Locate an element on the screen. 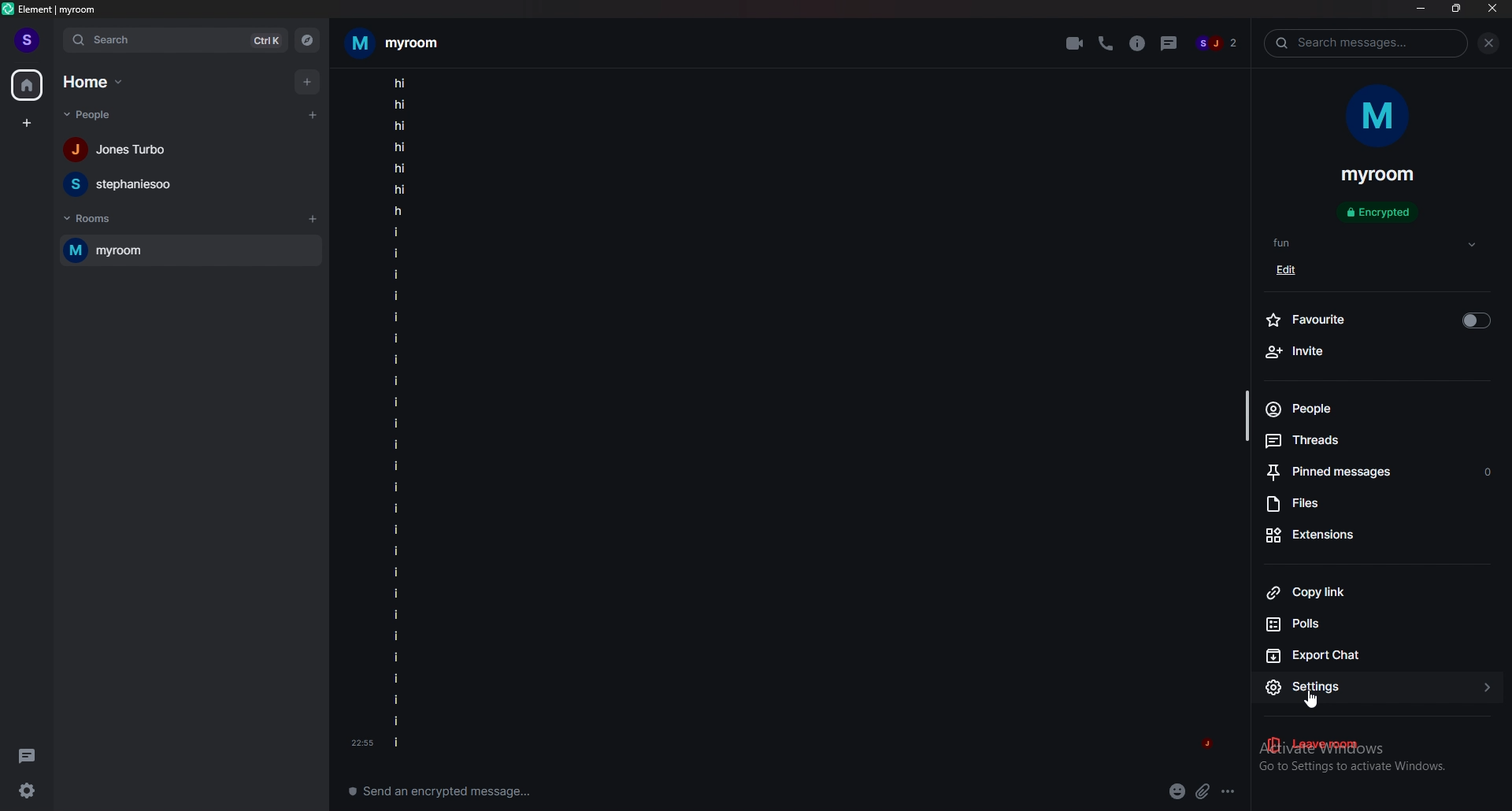 The image size is (1512, 811). emoji is located at coordinates (1178, 792).